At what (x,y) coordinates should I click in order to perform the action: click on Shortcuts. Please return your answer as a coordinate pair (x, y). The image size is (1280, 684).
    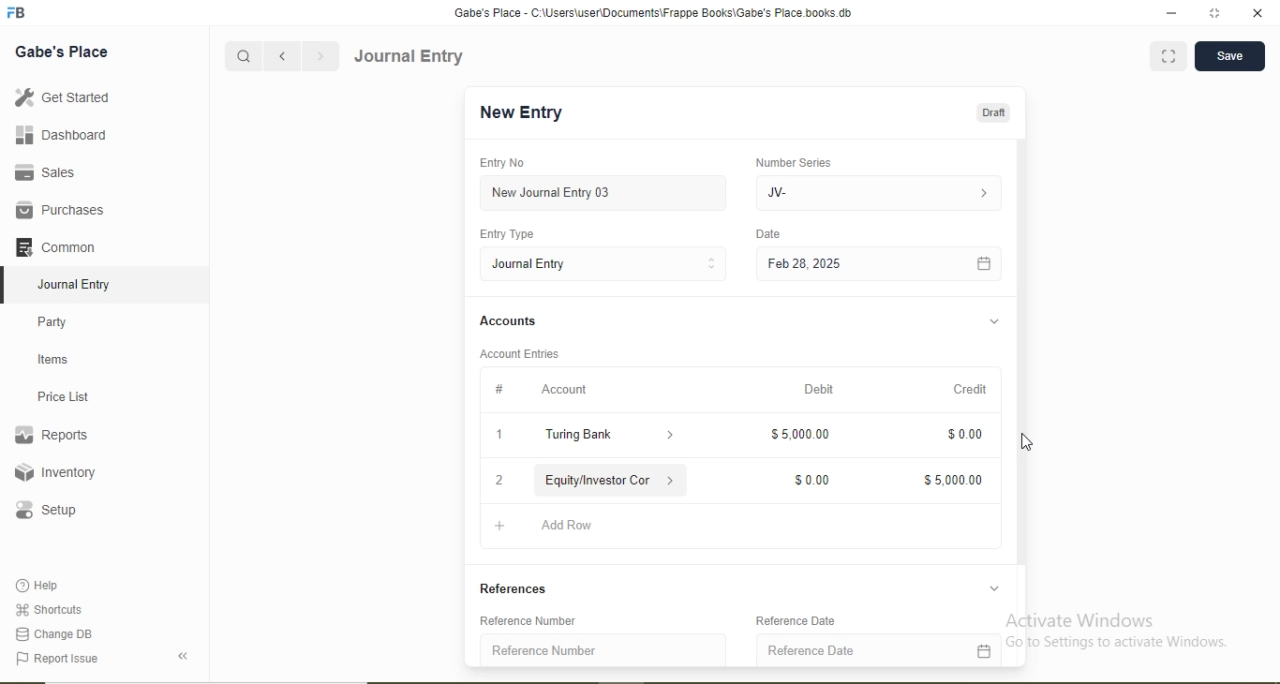
    Looking at the image, I should click on (47, 609).